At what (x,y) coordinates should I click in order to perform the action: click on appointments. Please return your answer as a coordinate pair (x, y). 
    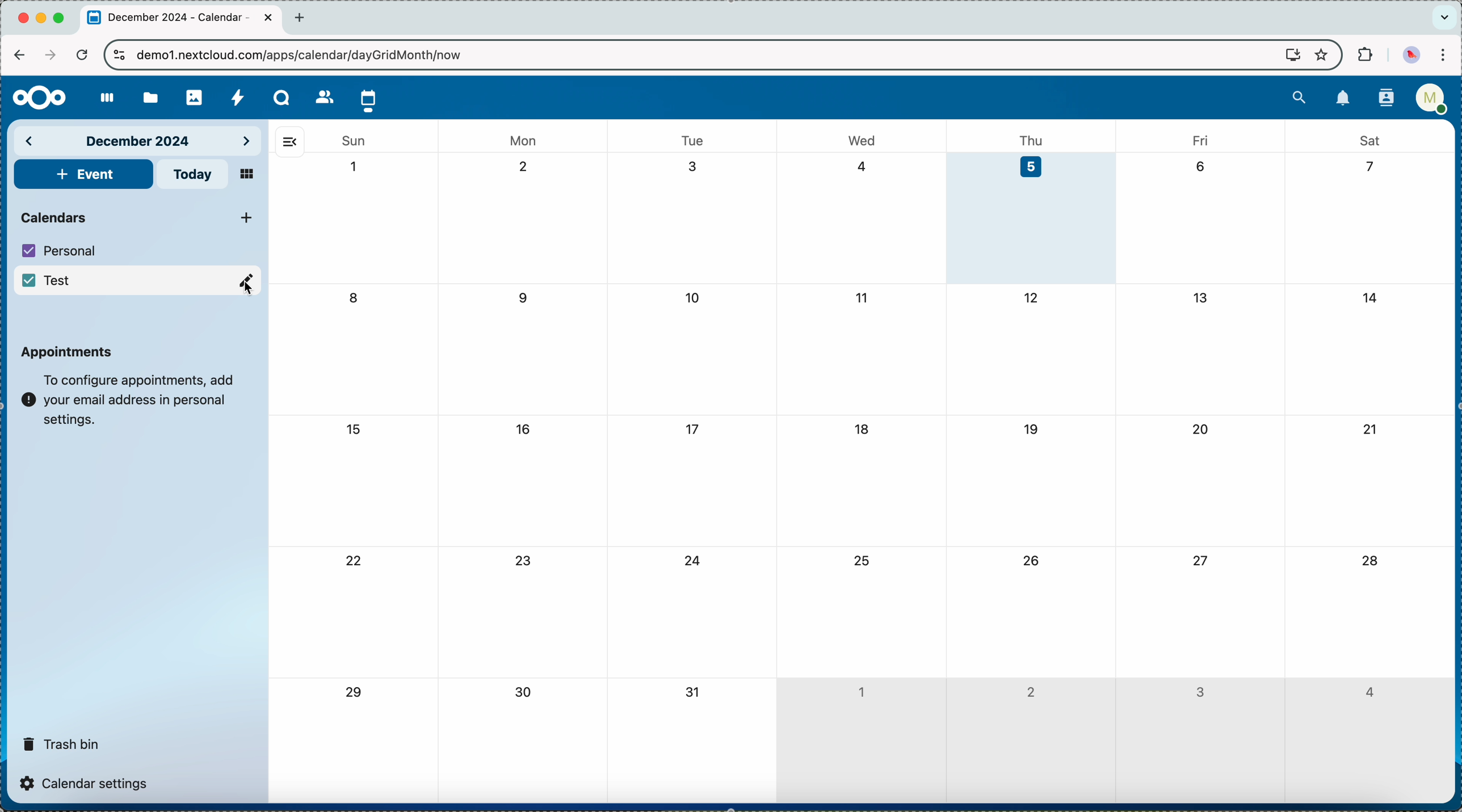
    Looking at the image, I should click on (68, 349).